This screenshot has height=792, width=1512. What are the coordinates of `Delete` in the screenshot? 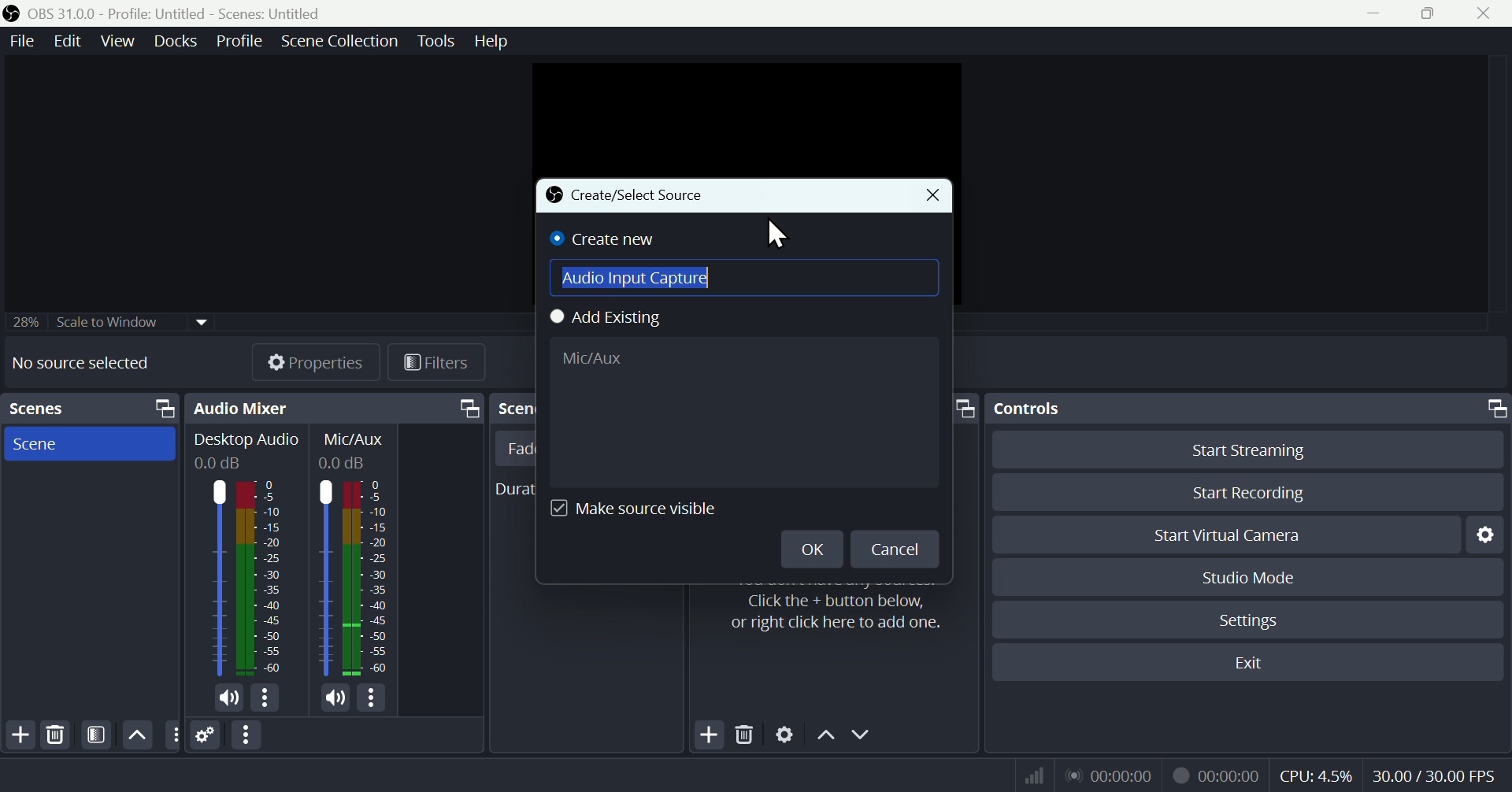 It's located at (55, 735).